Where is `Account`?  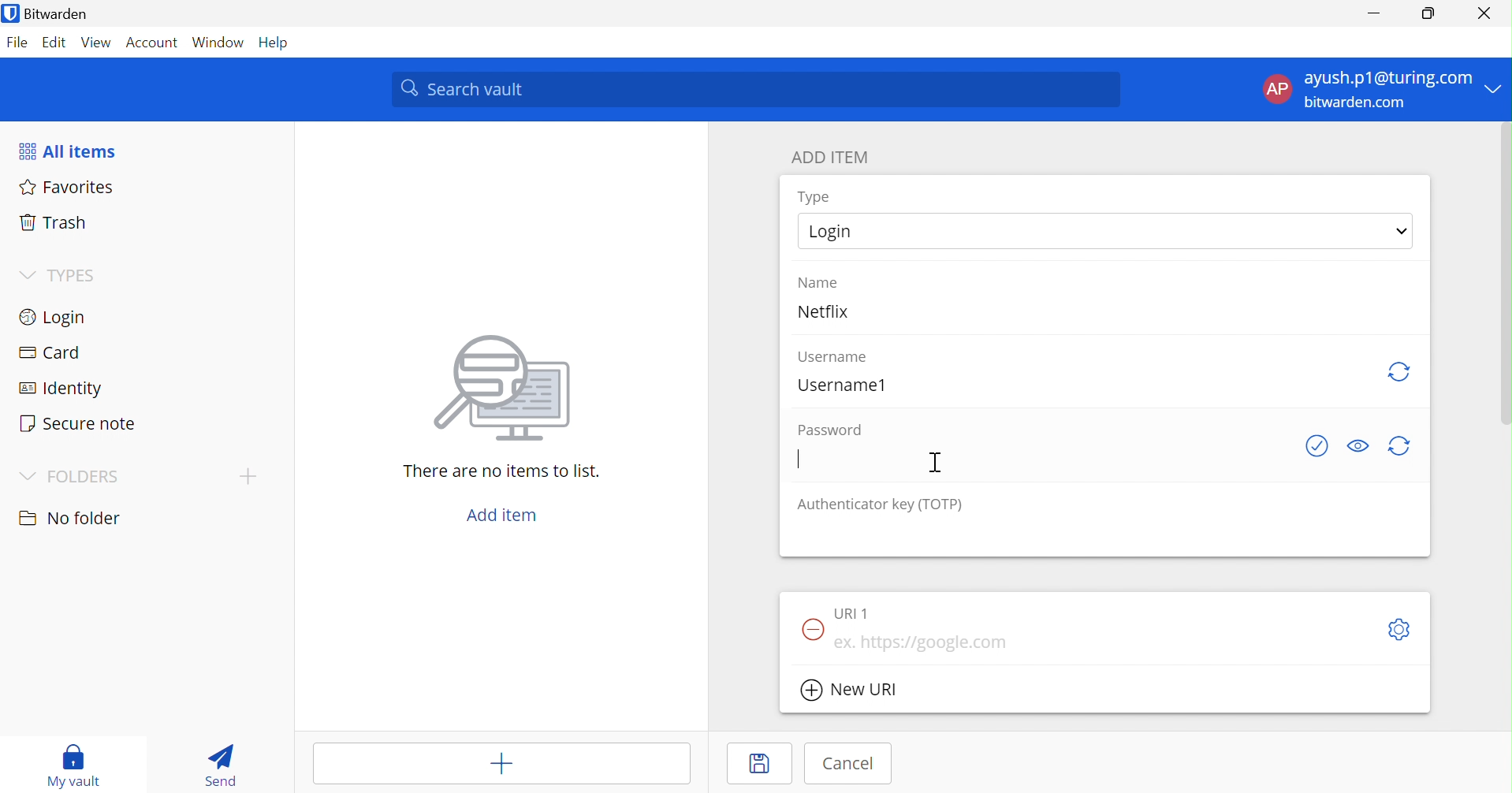
Account is located at coordinates (150, 42).